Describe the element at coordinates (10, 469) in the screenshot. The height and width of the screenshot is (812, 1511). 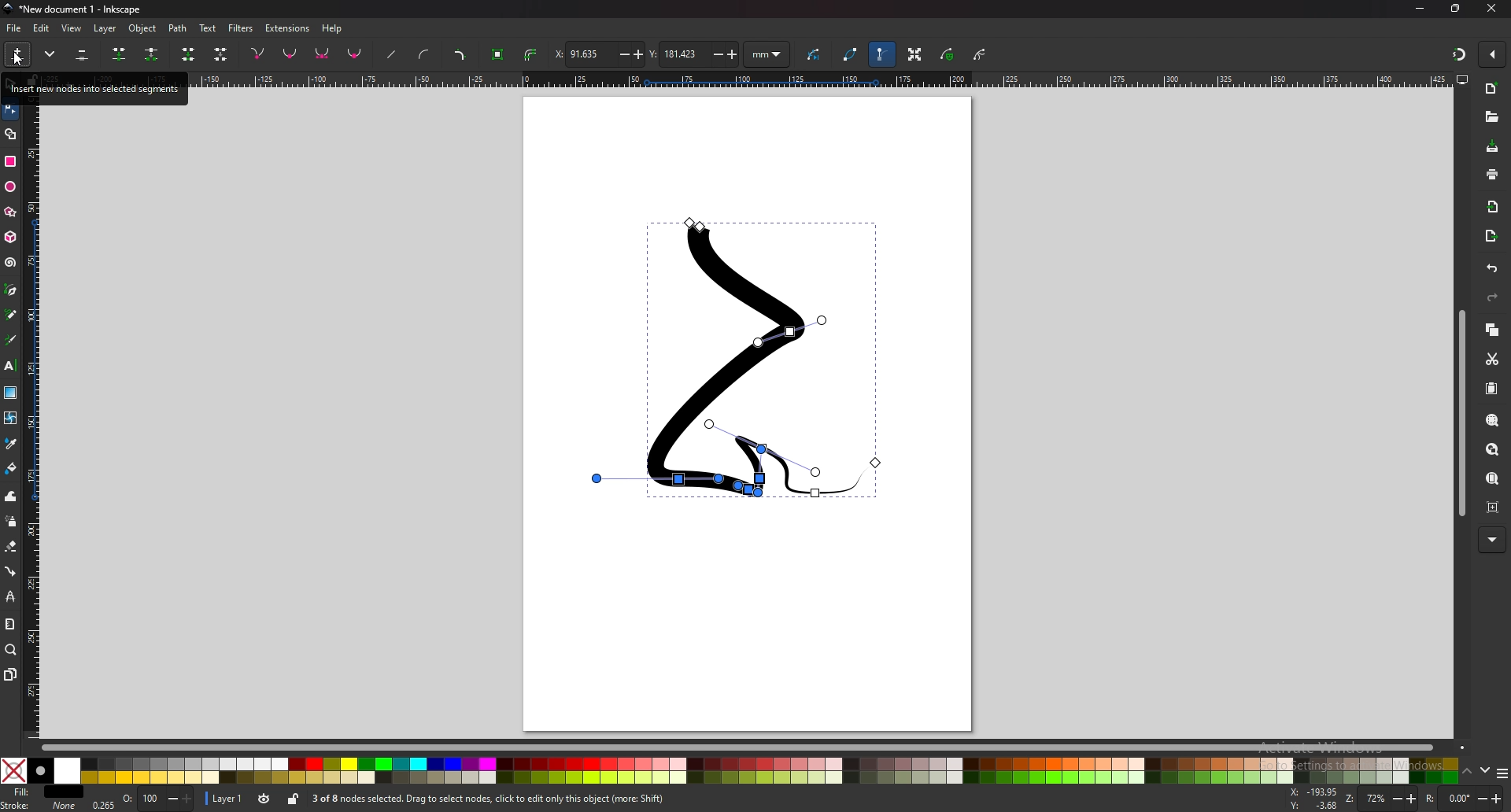
I see `paint bucket` at that location.